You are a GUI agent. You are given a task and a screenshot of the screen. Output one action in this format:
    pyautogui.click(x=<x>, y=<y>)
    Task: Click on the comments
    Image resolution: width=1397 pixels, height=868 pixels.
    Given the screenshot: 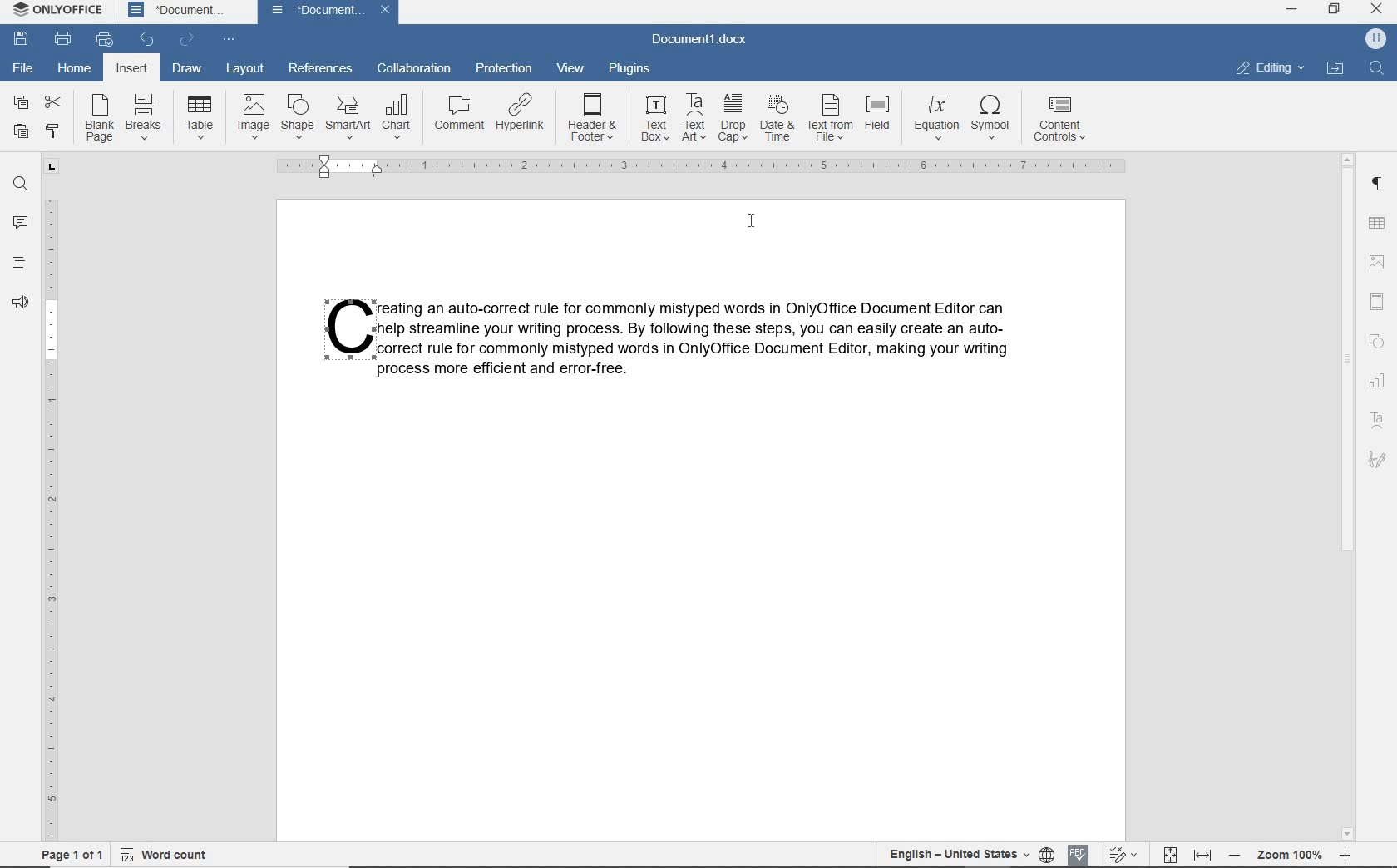 What is the action you would take?
    pyautogui.click(x=18, y=223)
    